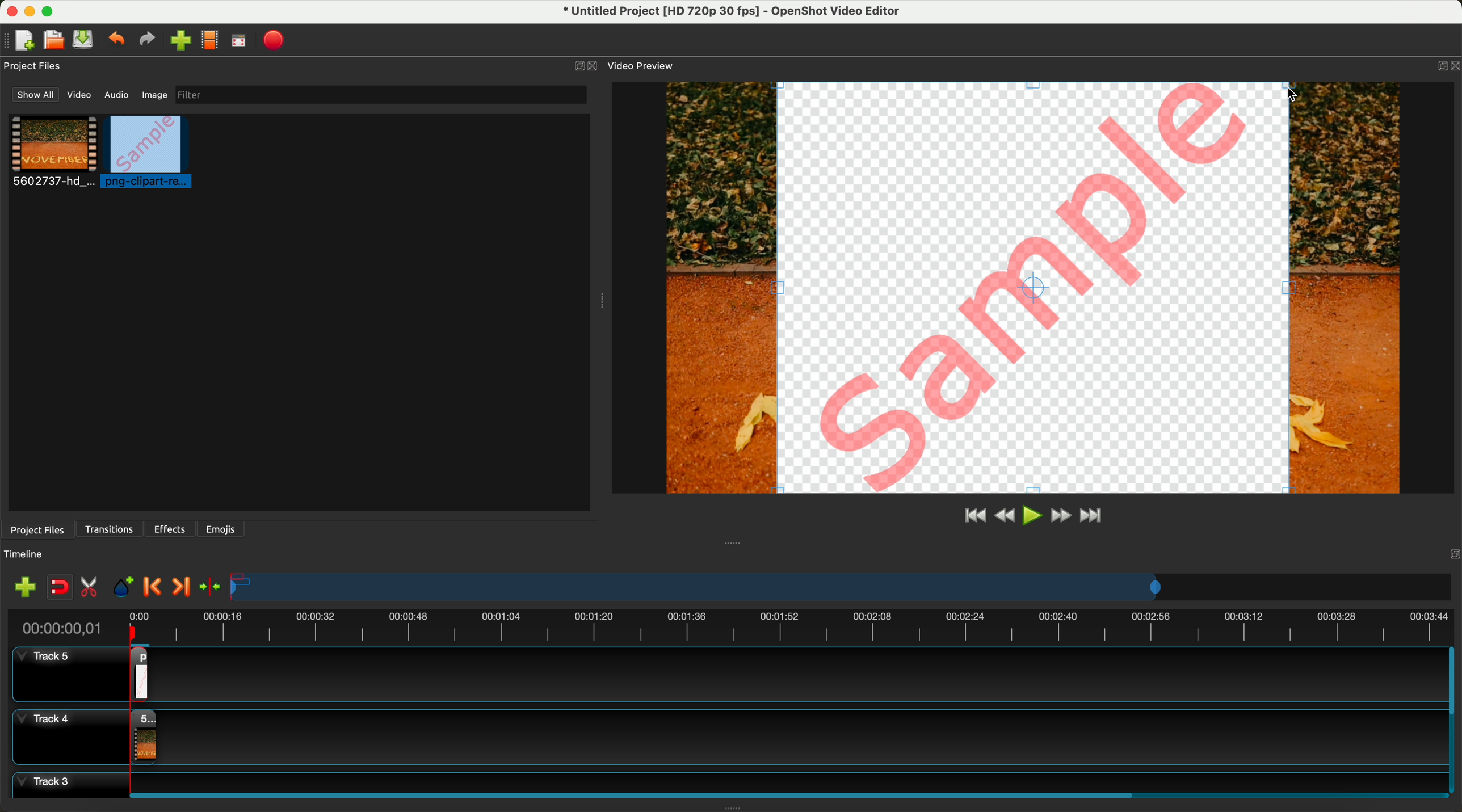  I want to click on show all, so click(36, 95).